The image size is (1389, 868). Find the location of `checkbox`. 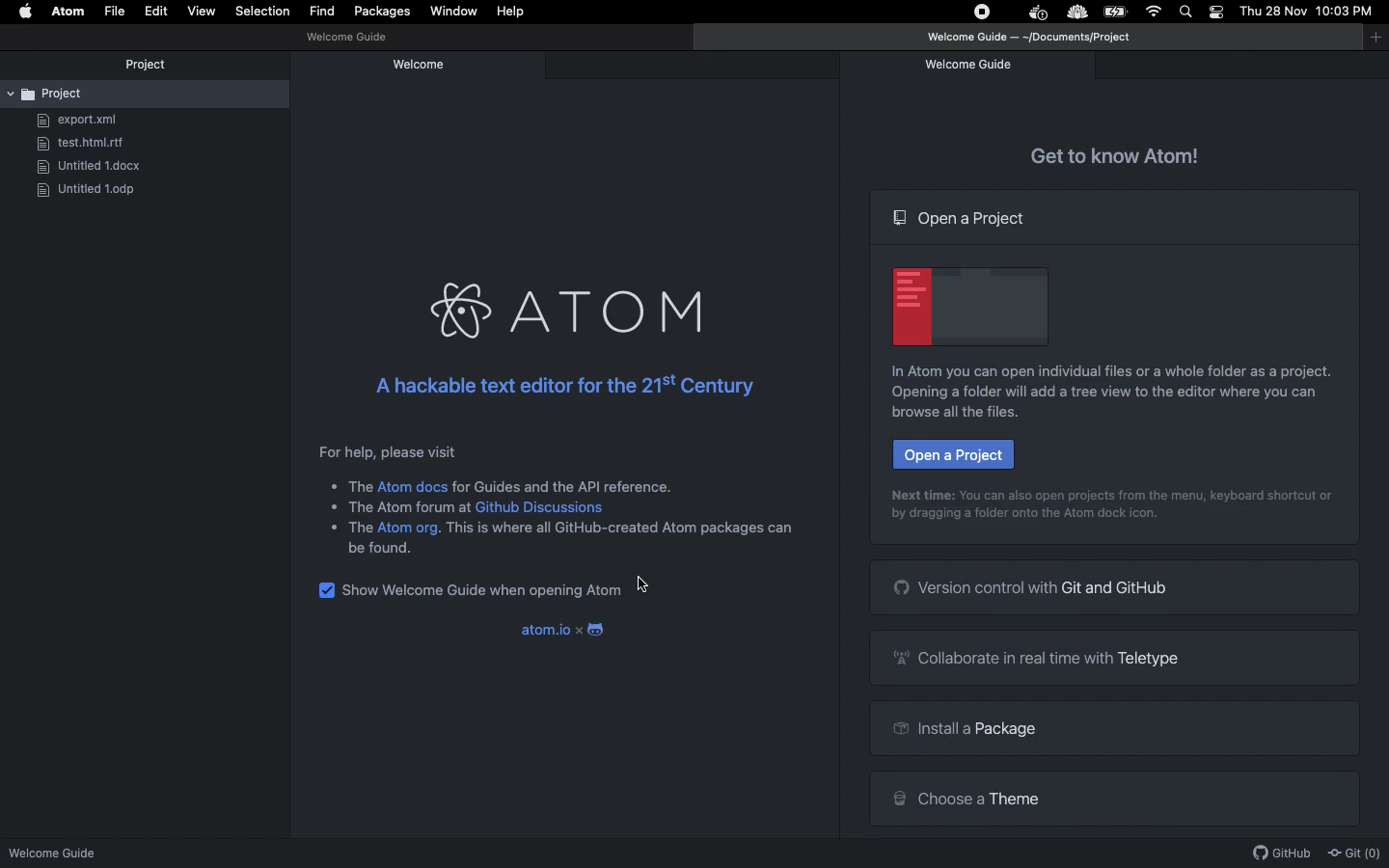

checkbox is located at coordinates (327, 589).